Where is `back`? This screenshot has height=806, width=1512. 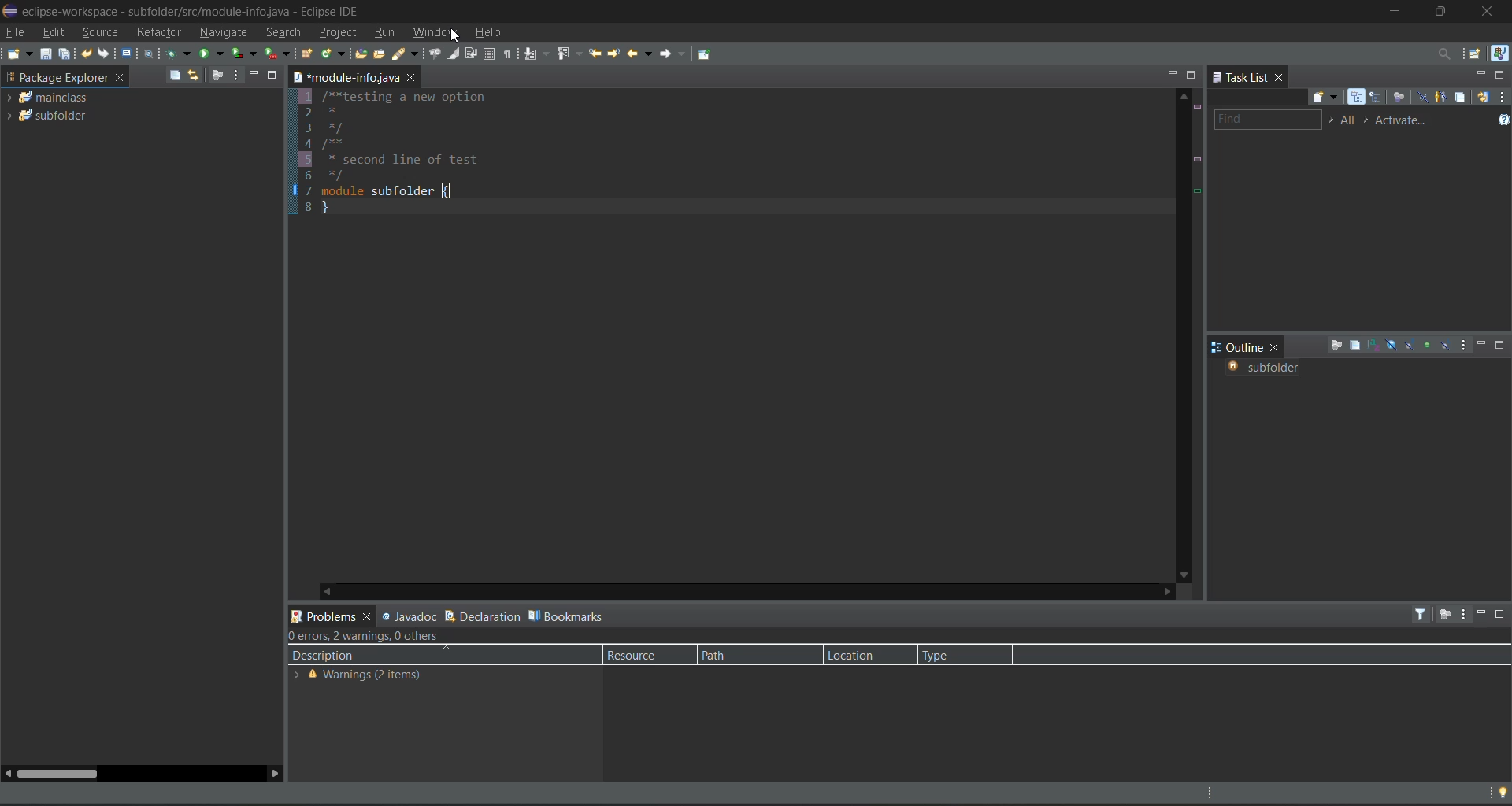 back is located at coordinates (641, 53).